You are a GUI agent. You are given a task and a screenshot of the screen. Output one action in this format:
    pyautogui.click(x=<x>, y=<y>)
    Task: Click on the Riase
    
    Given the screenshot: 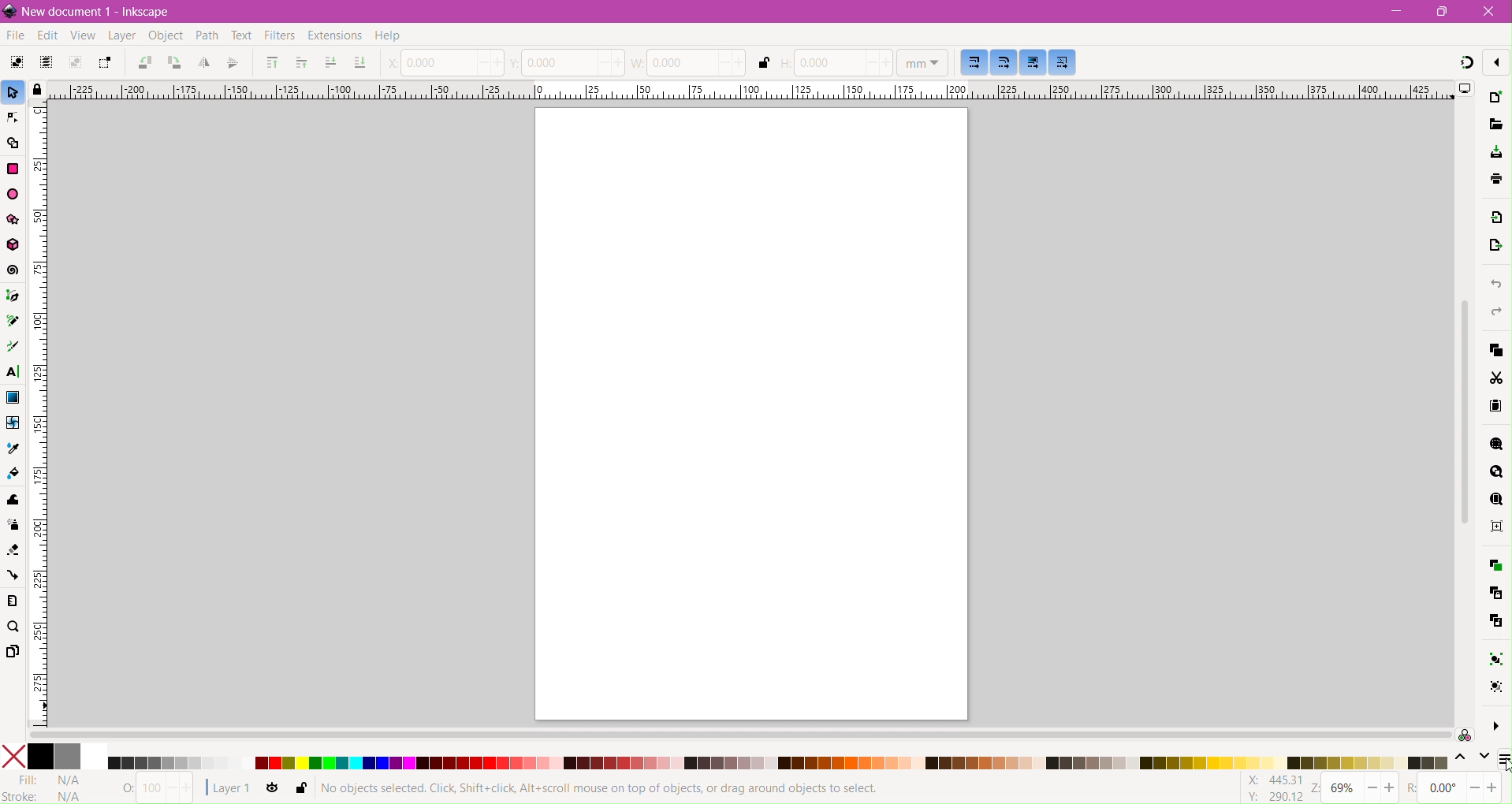 What is the action you would take?
    pyautogui.click(x=301, y=62)
    